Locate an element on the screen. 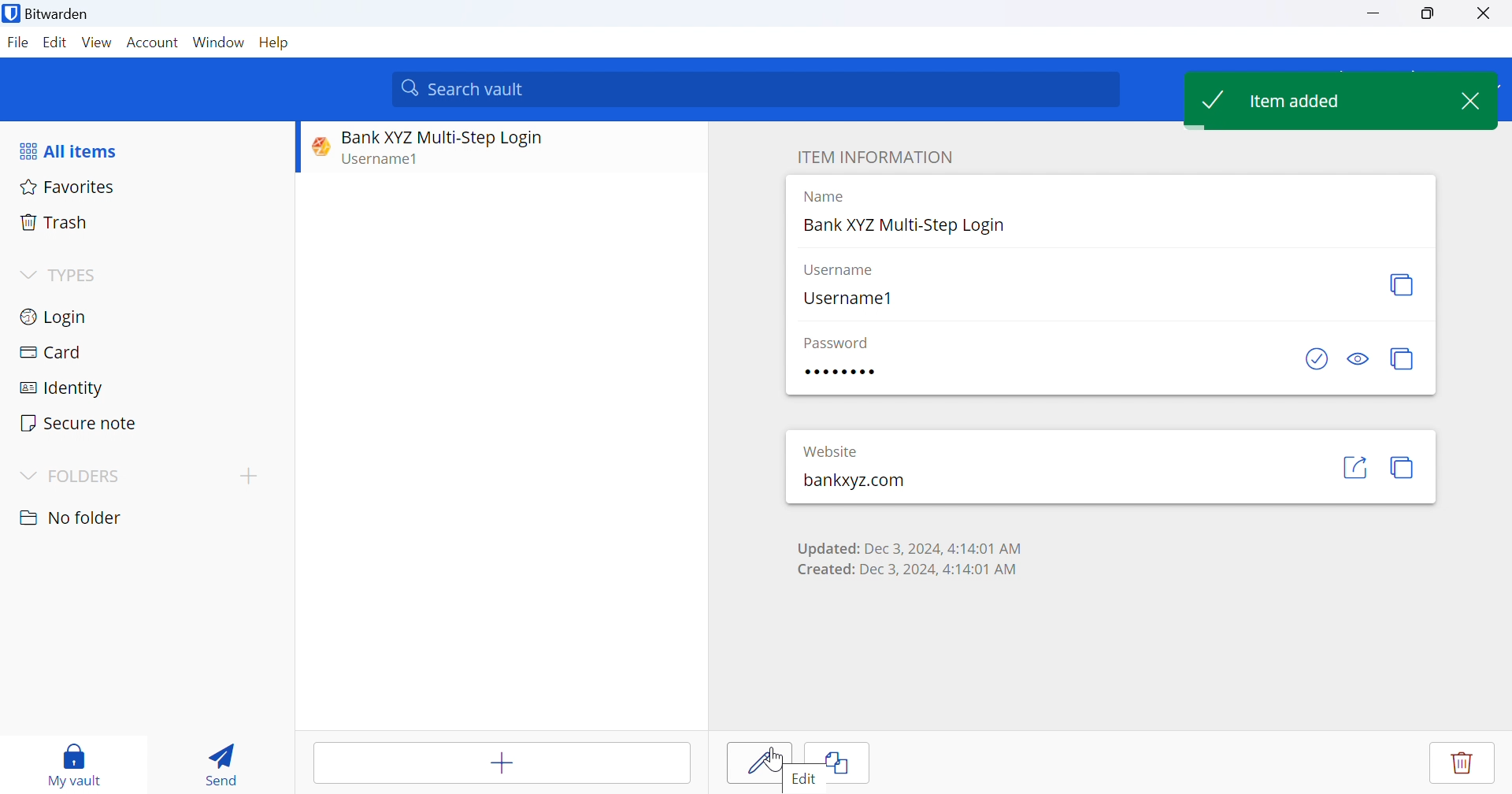 This screenshot has height=794, width=1512. Cursor is located at coordinates (773, 759).